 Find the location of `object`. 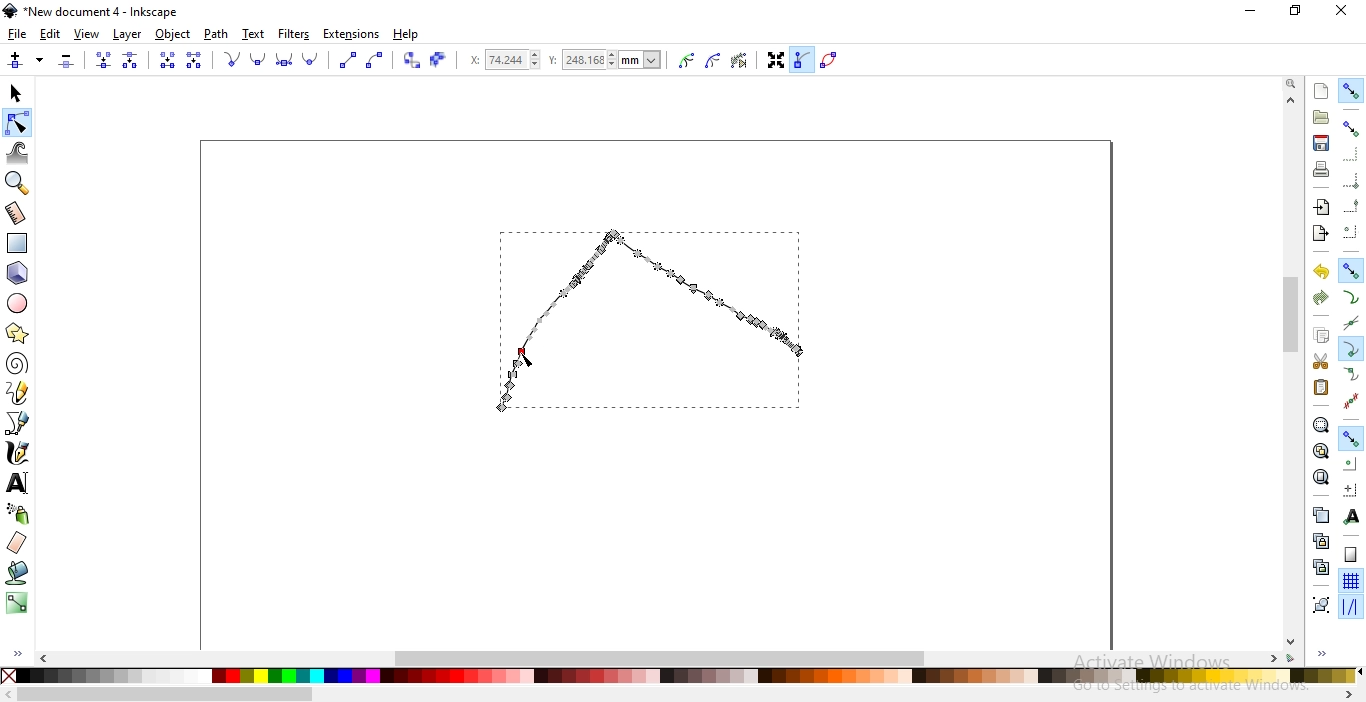

object is located at coordinates (173, 34).